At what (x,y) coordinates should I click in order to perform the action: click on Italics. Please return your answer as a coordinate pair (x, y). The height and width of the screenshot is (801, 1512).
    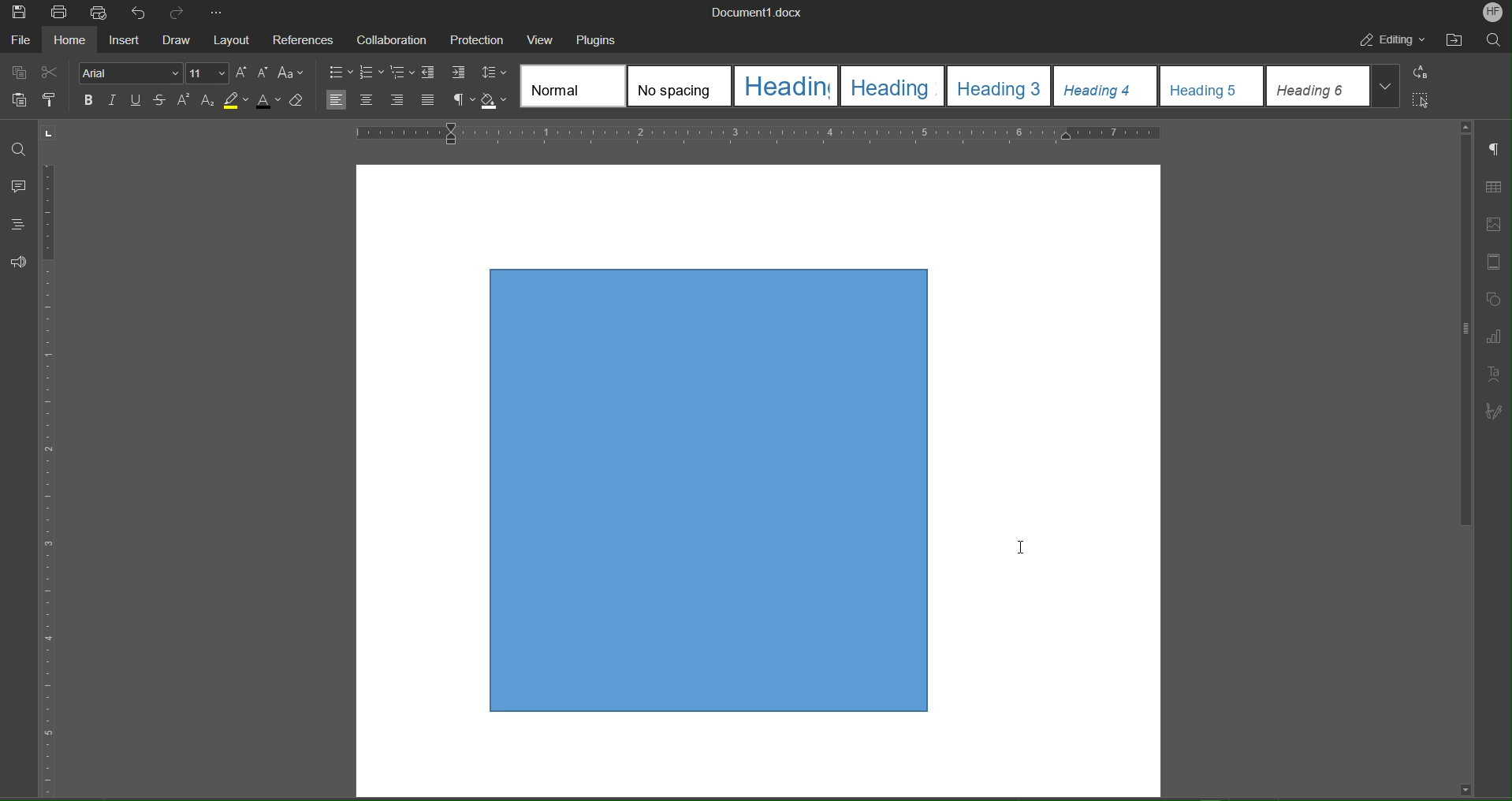
    Looking at the image, I should click on (114, 100).